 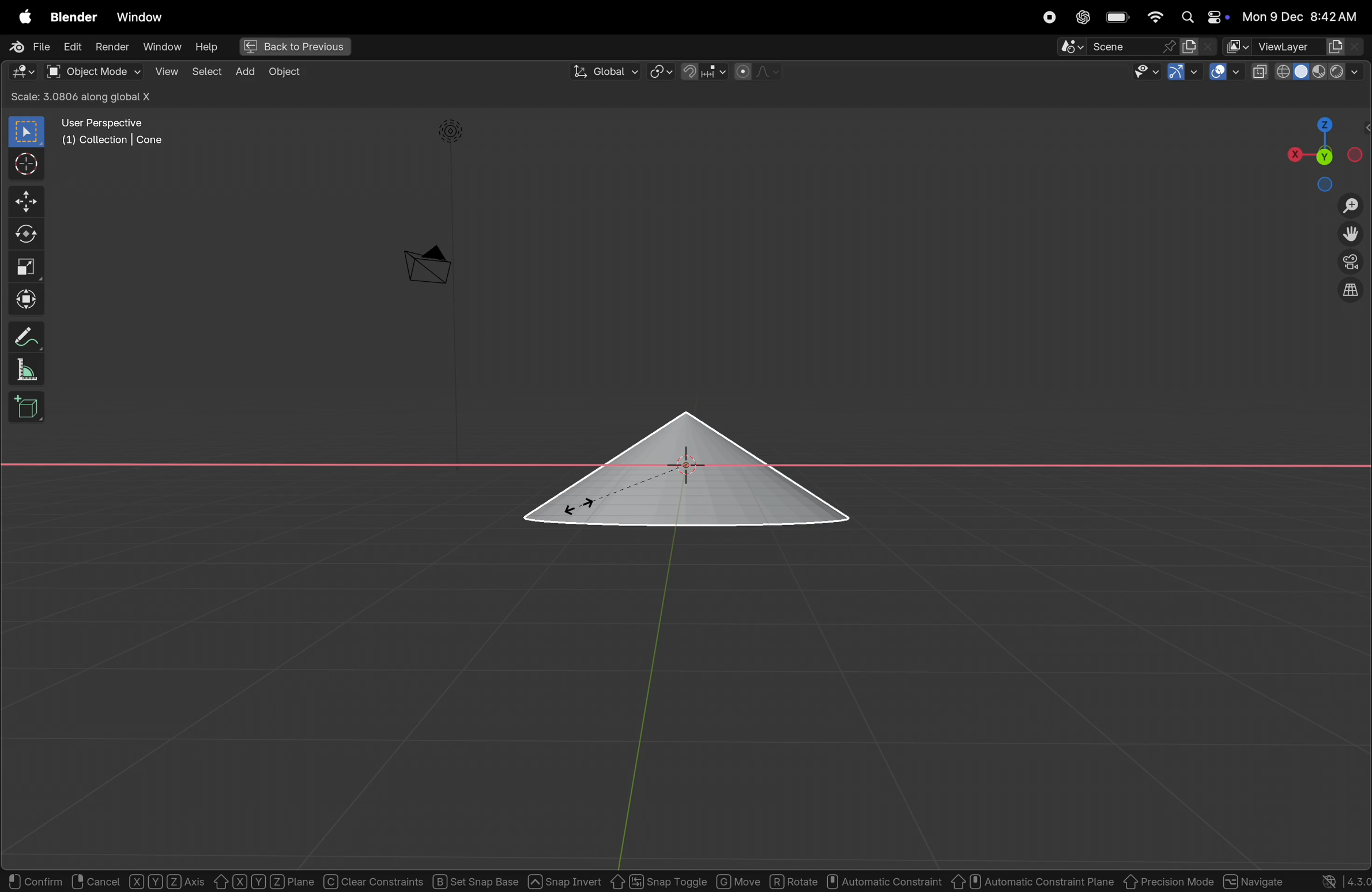 What do you see at coordinates (1181, 73) in the screenshot?
I see `show gimzo` at bounding box center [1181, 73].